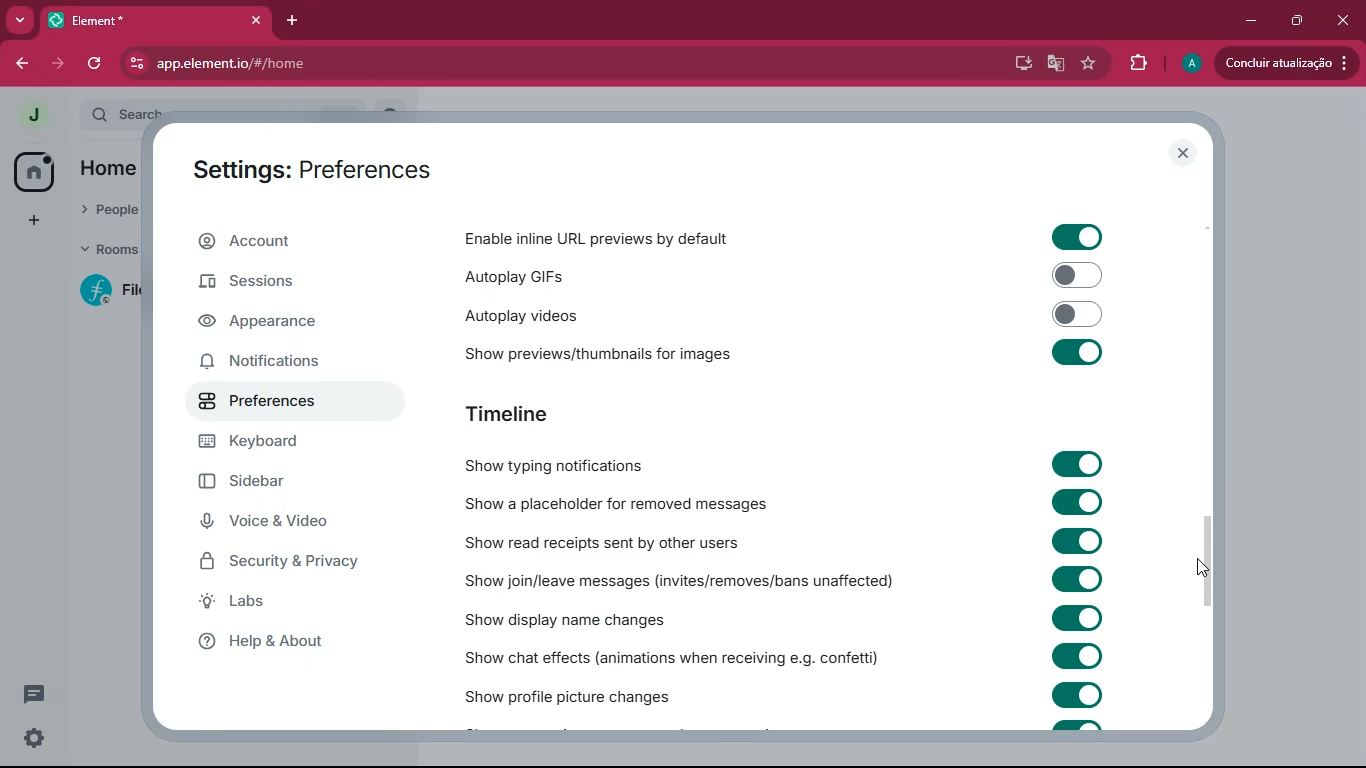 Image resolution: width=1366 pixels, height=768 pixels. What do you see at coordinates (1078, 578) in the screenshot?
I see `toggle on/off` at bounding box center [1078, 578].